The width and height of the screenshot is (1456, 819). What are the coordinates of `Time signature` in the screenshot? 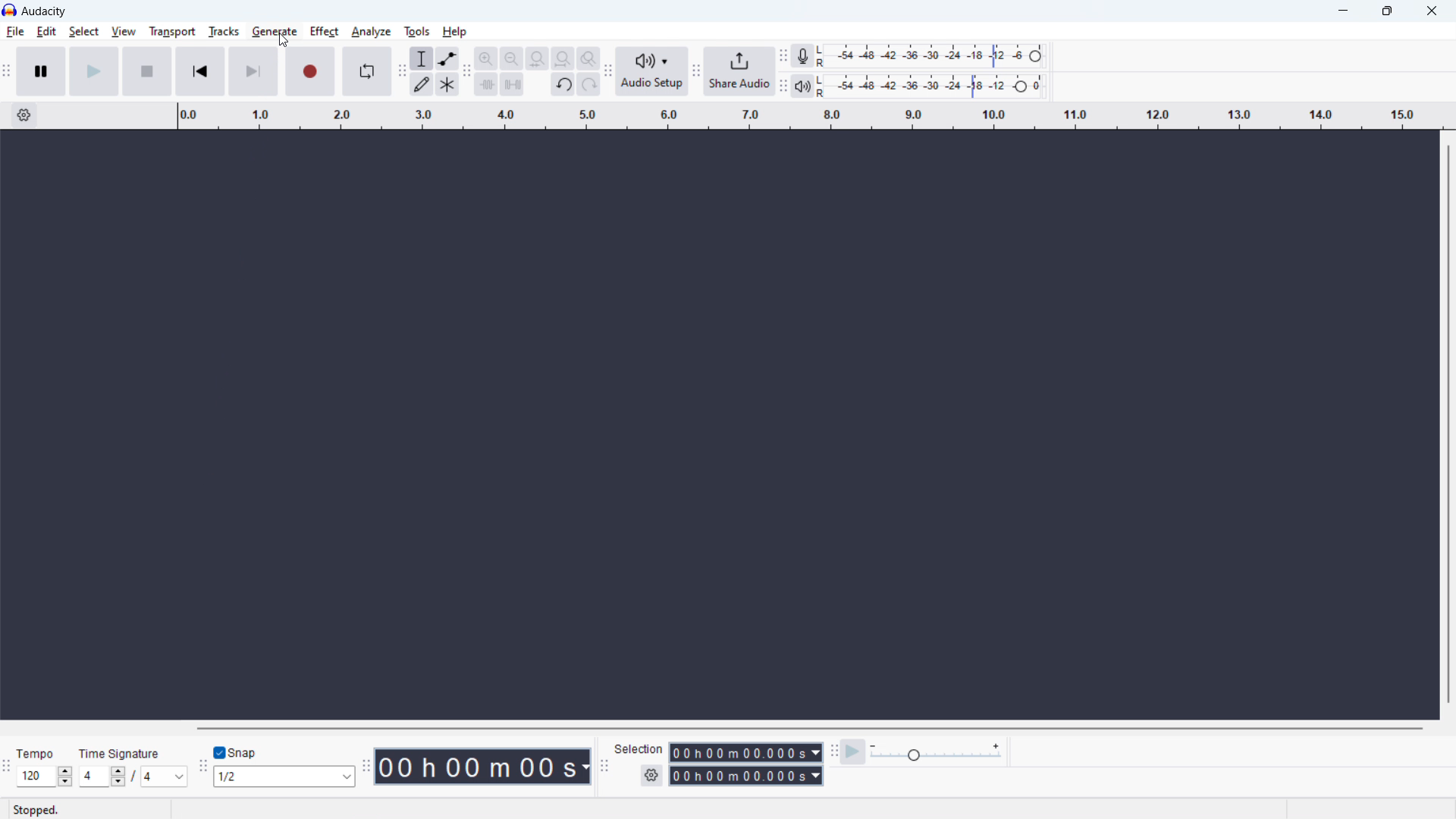 It's located at (122, 752).